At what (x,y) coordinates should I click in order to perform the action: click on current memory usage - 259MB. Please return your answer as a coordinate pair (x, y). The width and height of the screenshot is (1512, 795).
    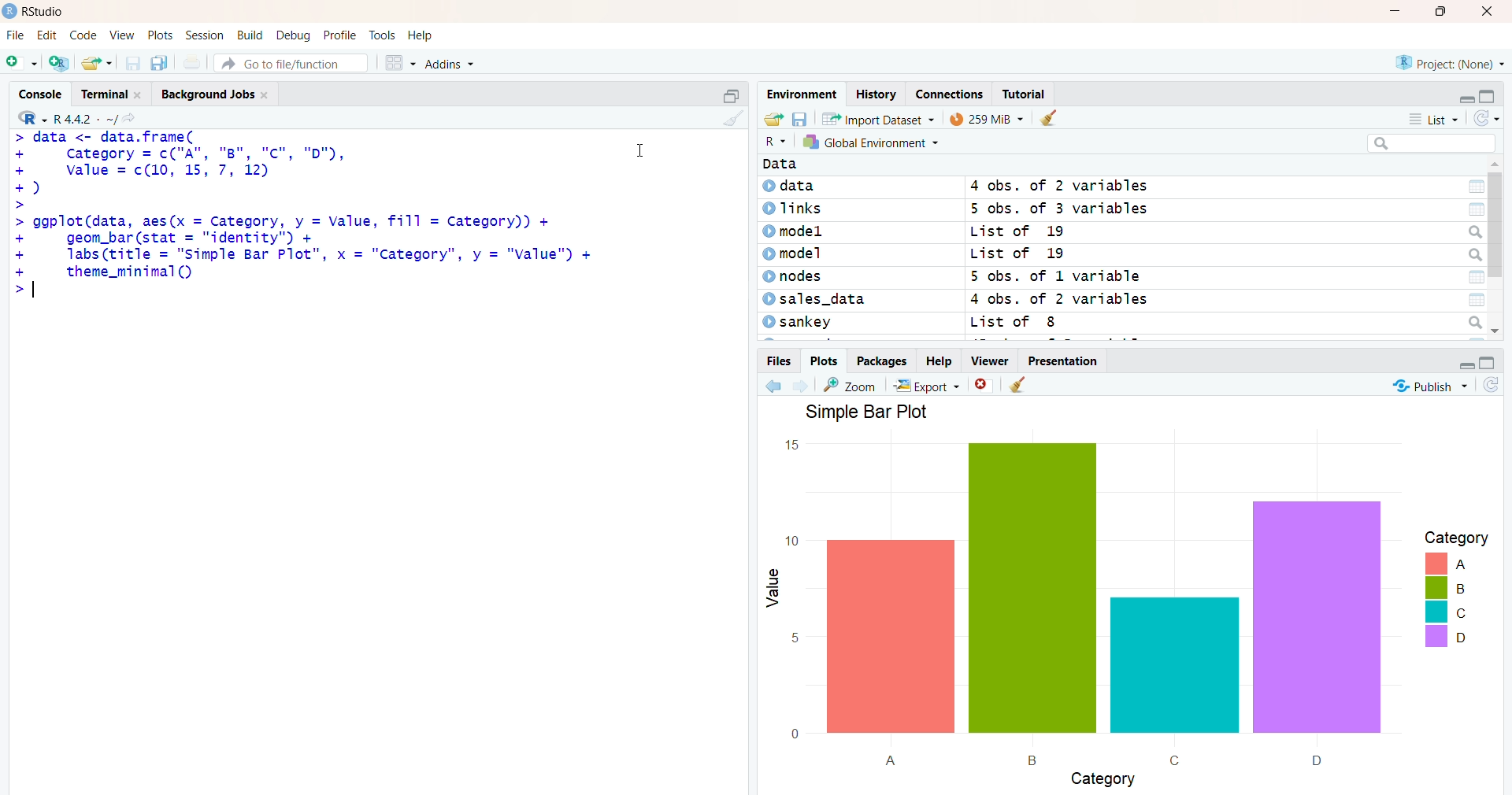
    Looking at the image, I should click on (984, 120).